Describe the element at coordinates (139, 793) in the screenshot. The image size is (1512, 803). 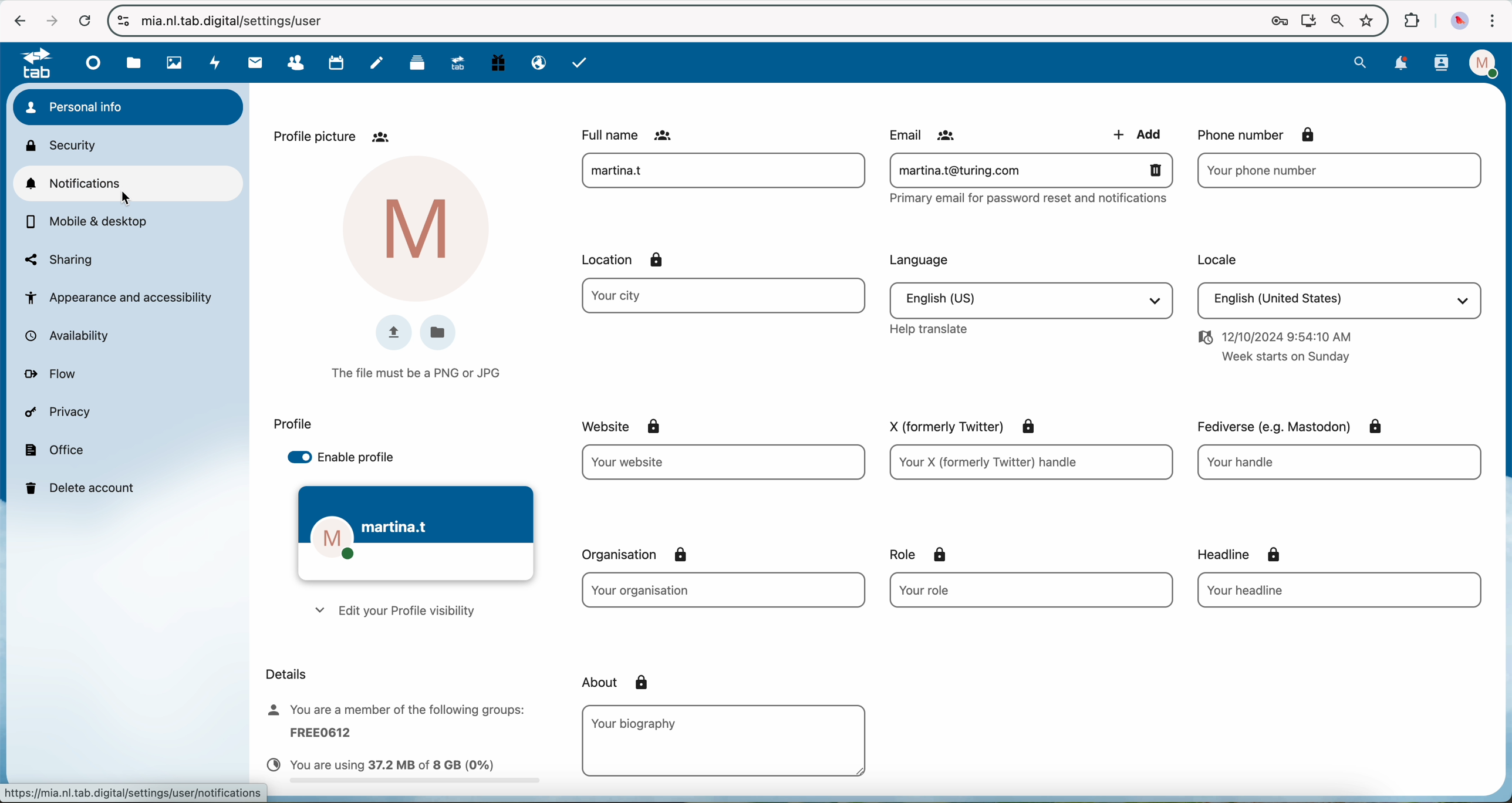
I see `URL` at that location.